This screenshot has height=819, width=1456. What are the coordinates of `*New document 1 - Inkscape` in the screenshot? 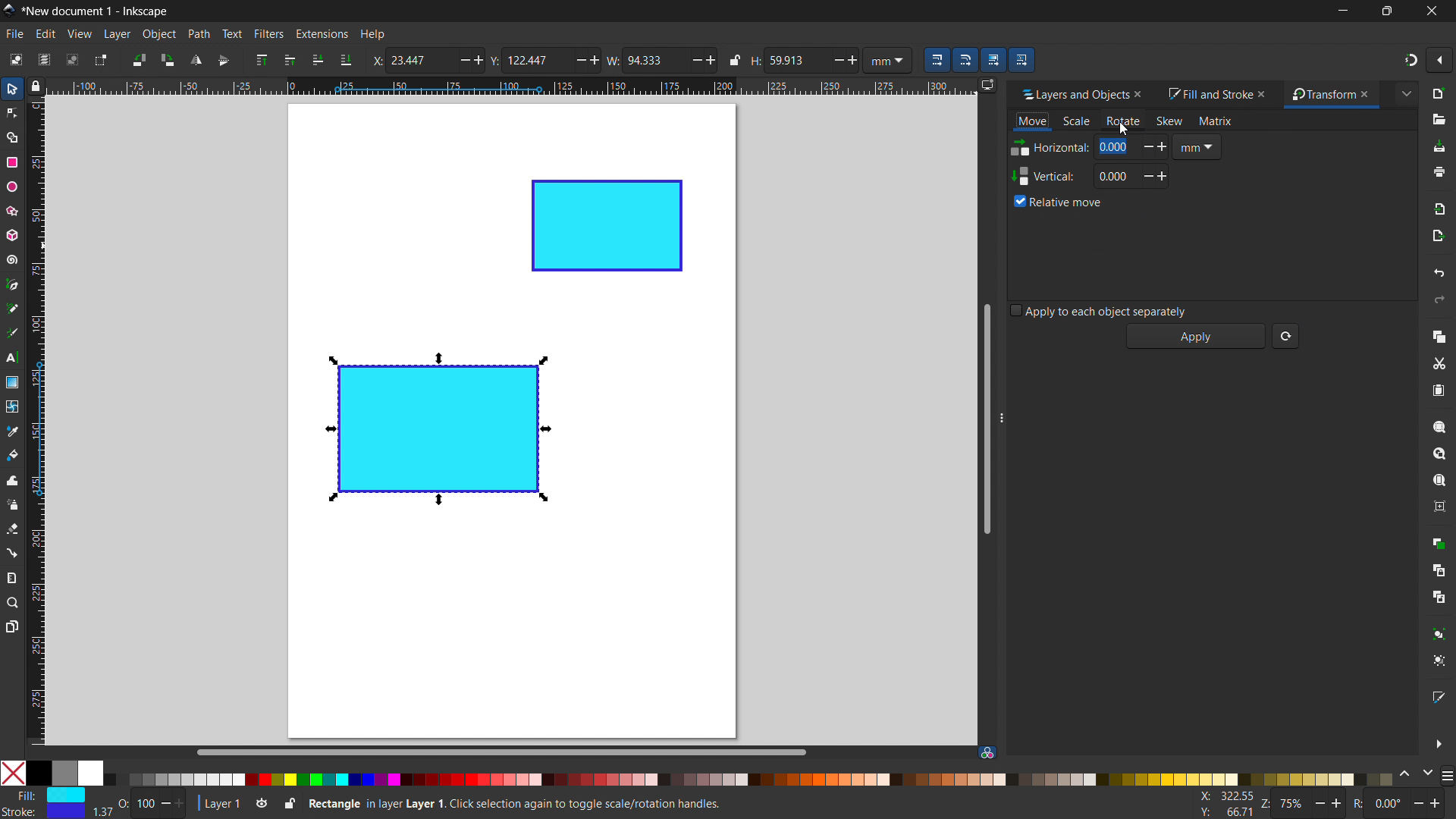 It's located at (96, 11).